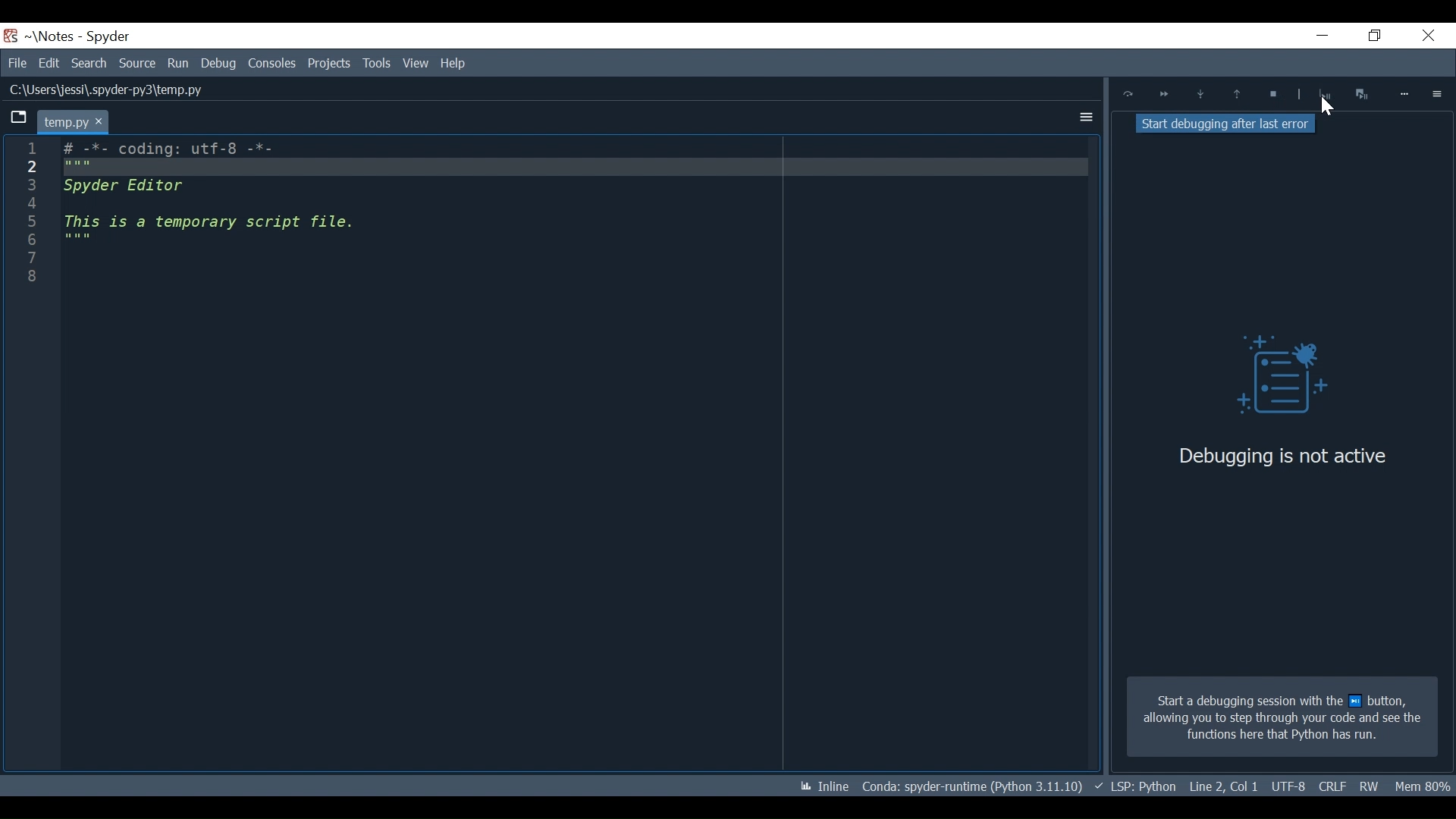 The image size is (1456, 819). Describe the element at coordinates (1200, 96) in the screenshot. I see `Step into function or method` at that location.